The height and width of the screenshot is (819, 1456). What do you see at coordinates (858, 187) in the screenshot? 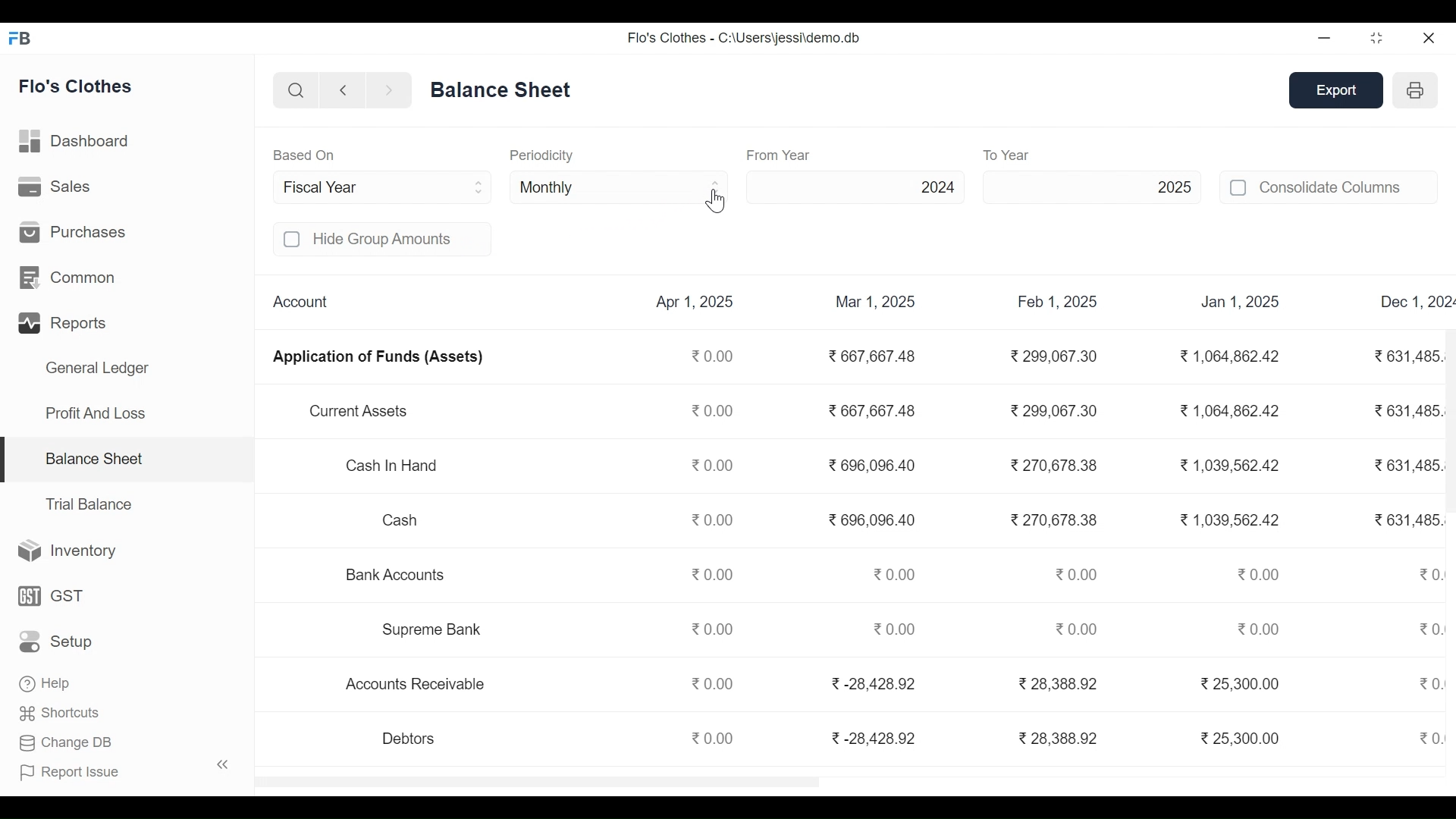
I see `2024` at bounding box center [858, 187].